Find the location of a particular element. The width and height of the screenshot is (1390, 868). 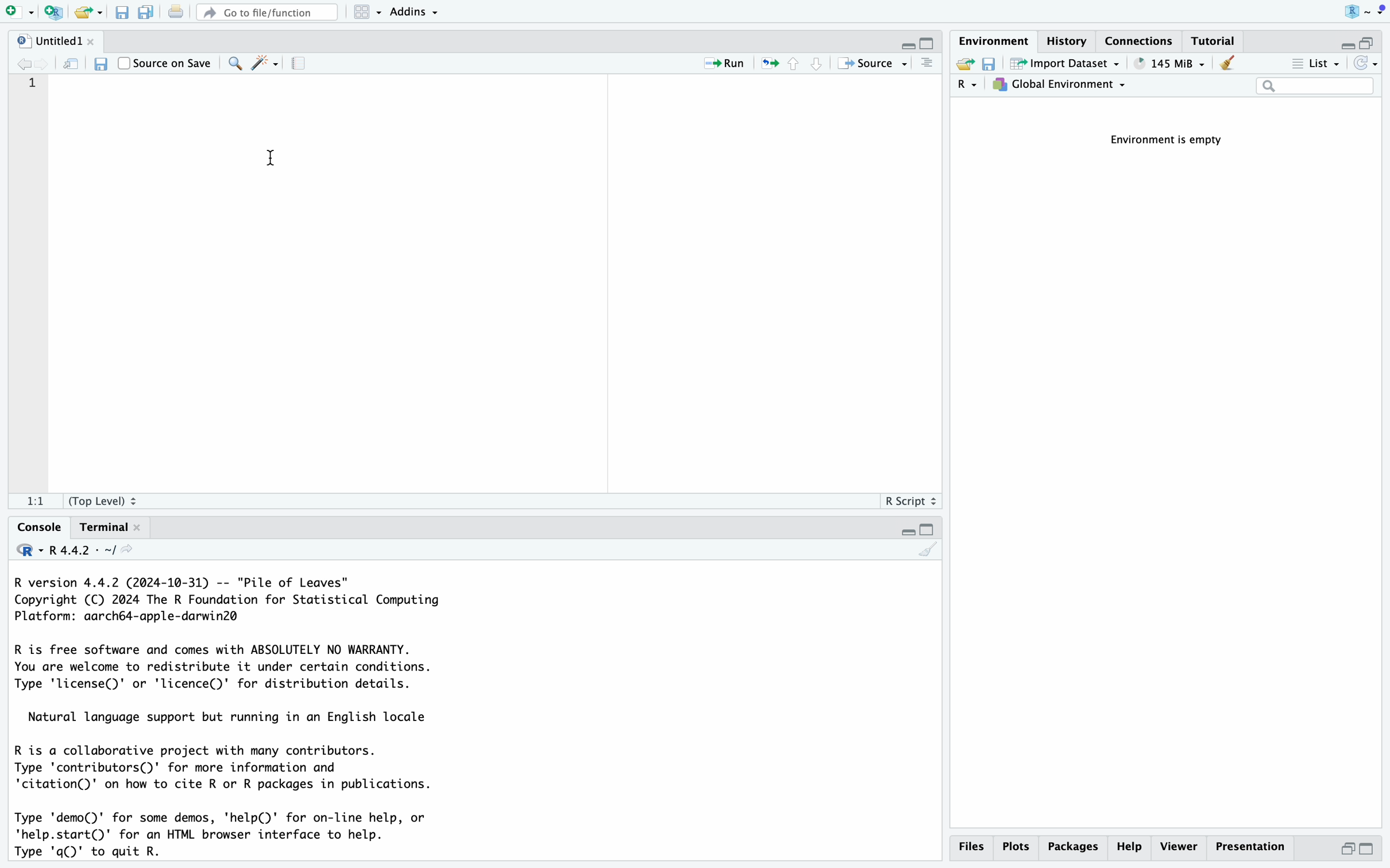

import dataset is located at coordinates (1065, 64).